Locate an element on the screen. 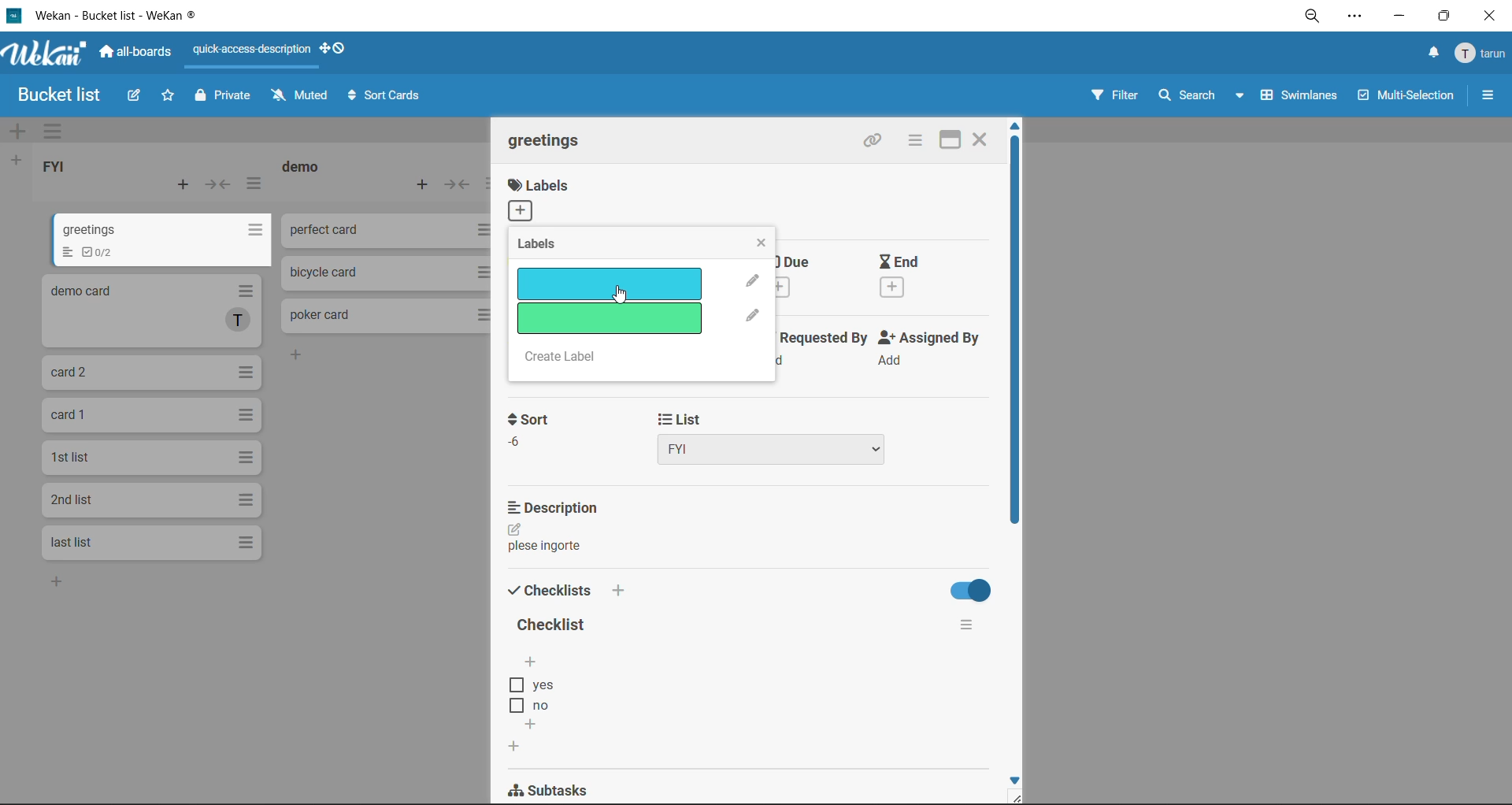 This screenshot has width=1512, height=805. label option 2 is located at coordinates (608, 318).